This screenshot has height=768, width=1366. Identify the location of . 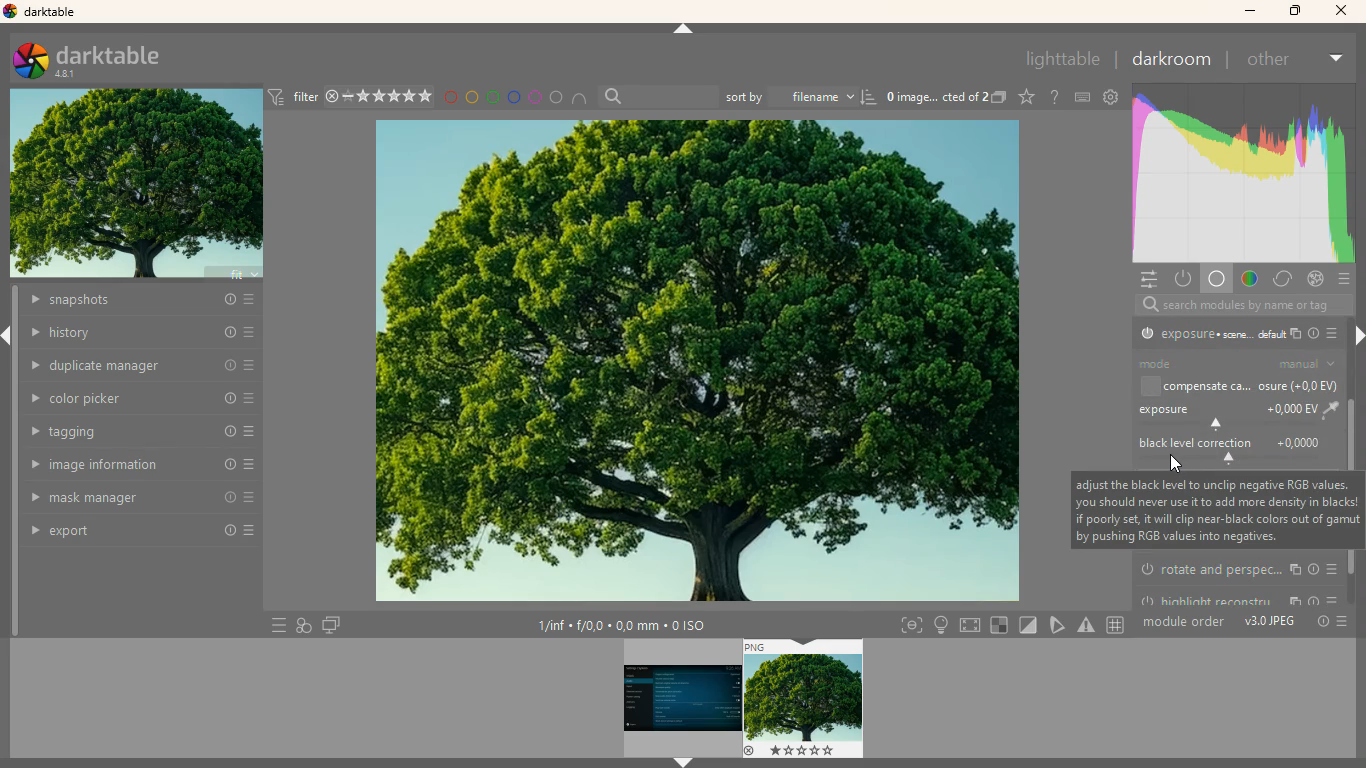
(1119, 625).